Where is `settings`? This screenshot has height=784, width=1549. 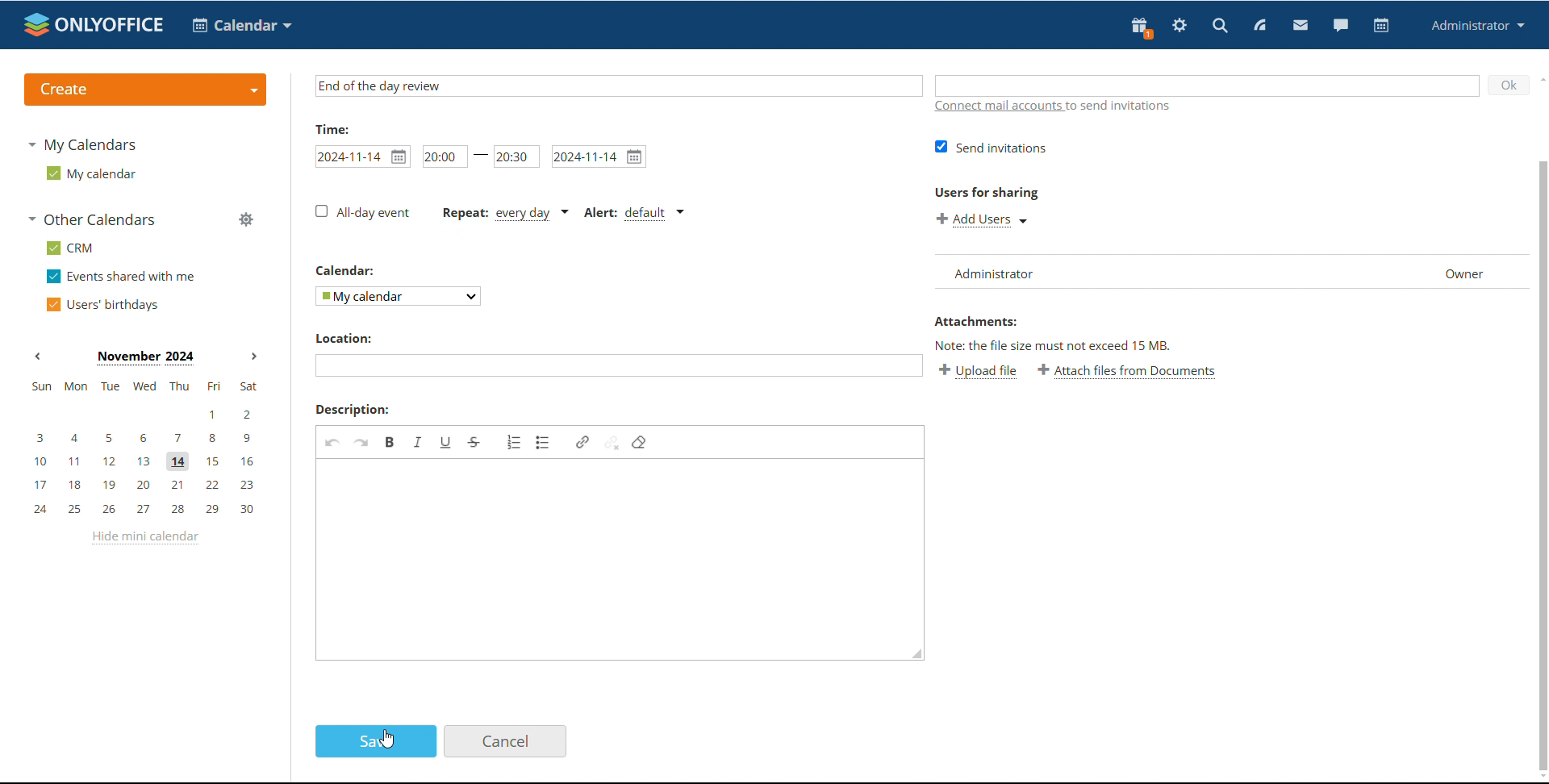 settings is located at coordinates (1179, 27).